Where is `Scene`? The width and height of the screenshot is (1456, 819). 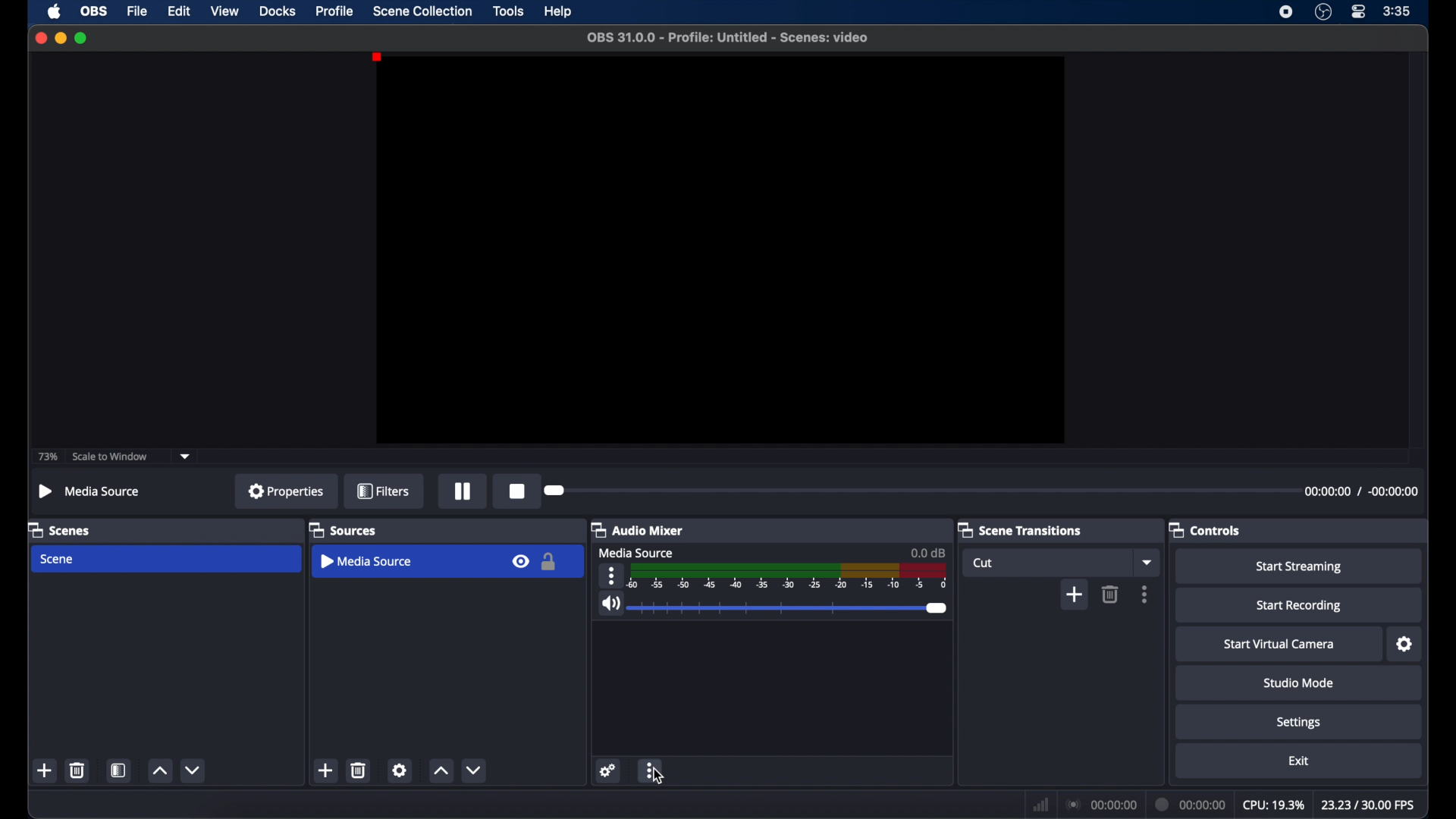 Scene is located at coordinates (58, 559).